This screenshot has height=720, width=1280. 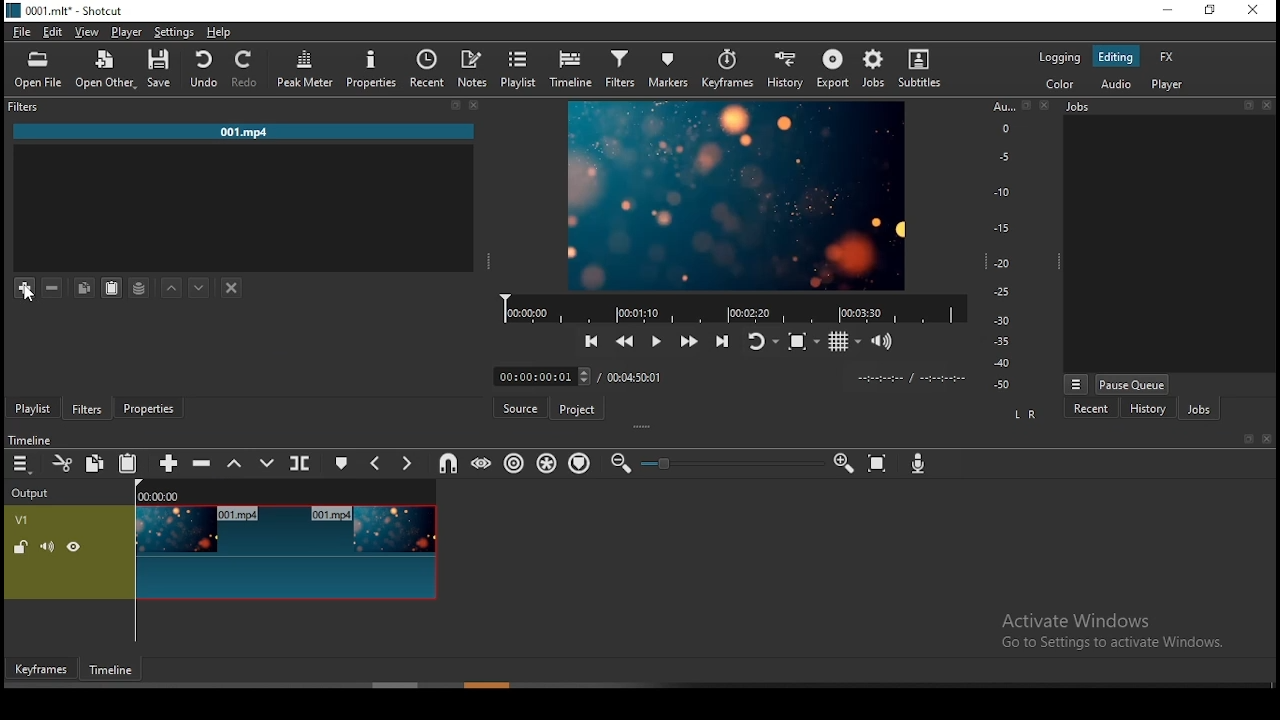 I want to click on pause queue, so click(x=1131, y=384).